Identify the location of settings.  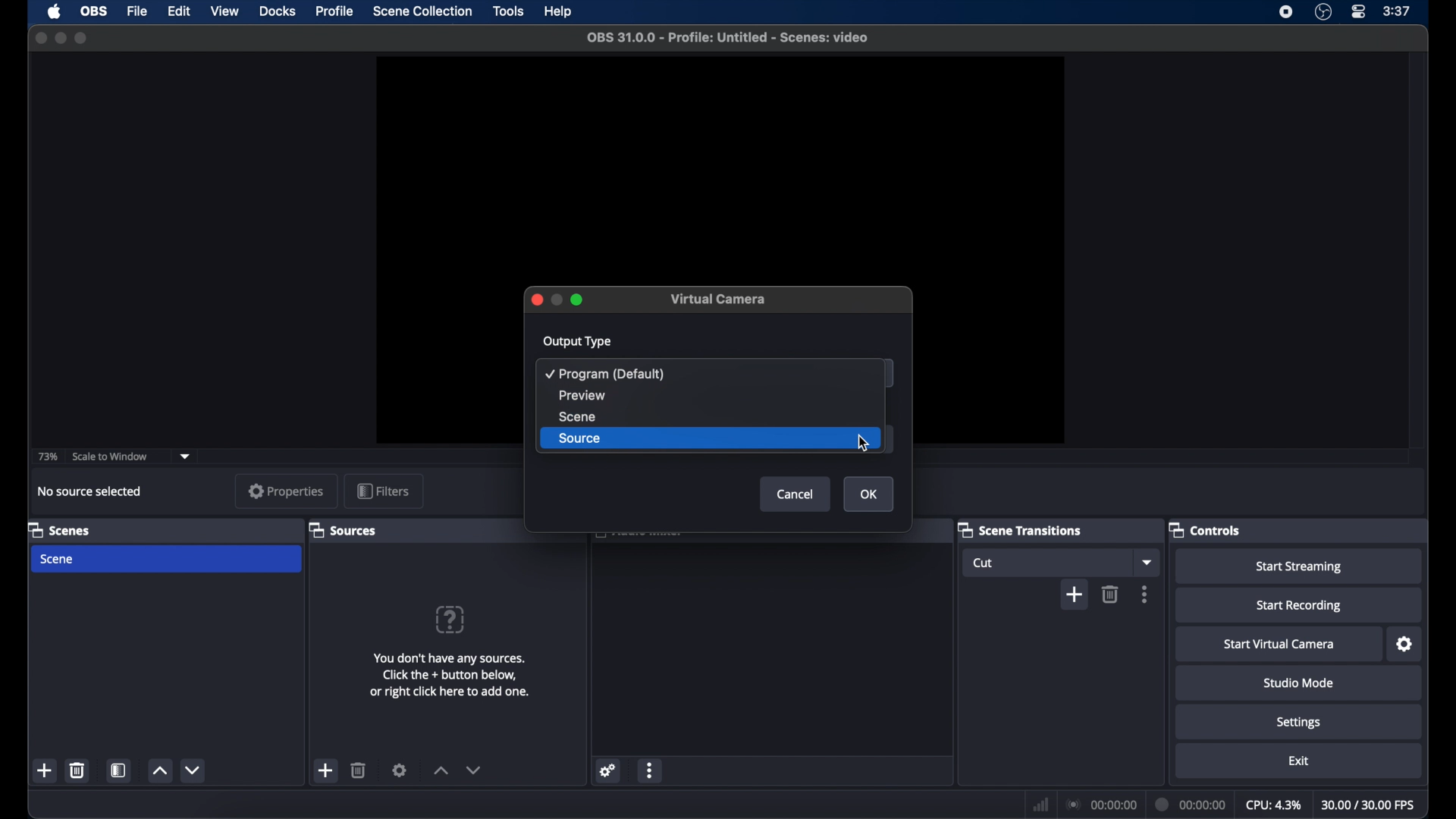
(1405, 644).